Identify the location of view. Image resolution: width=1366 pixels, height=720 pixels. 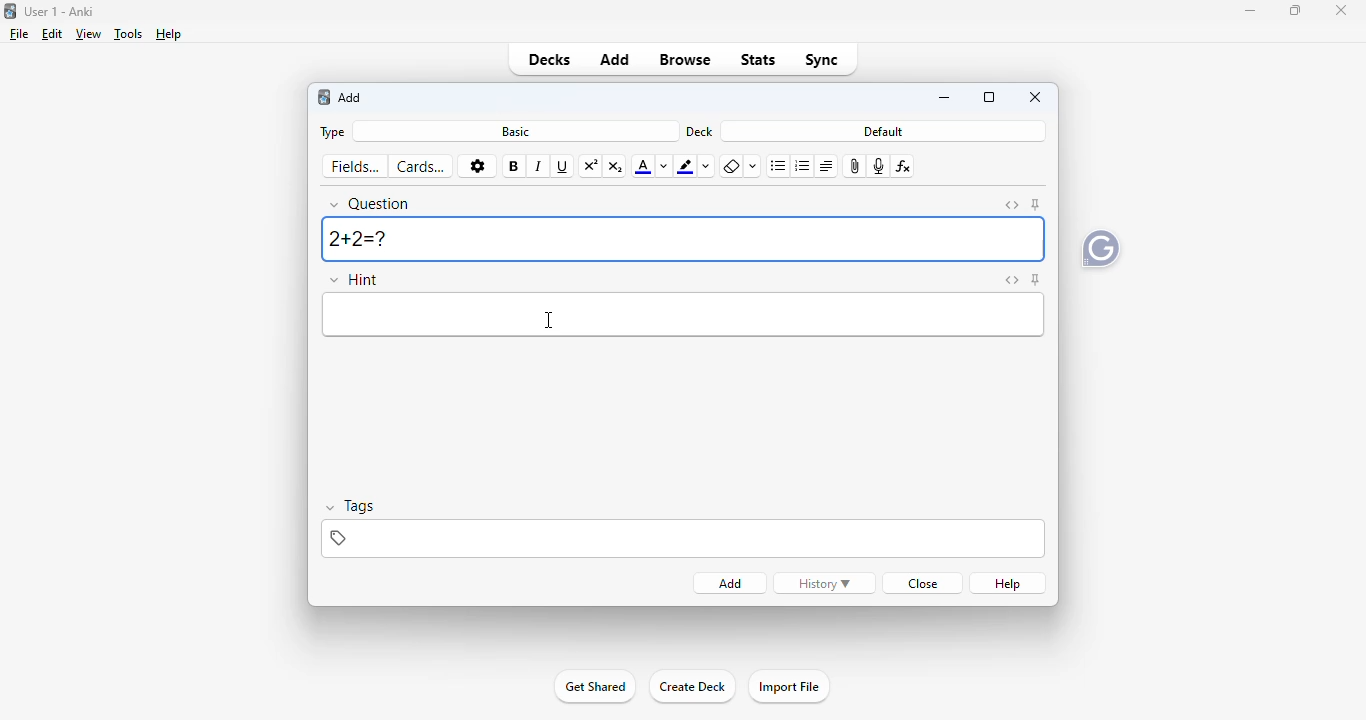
(89, 35).